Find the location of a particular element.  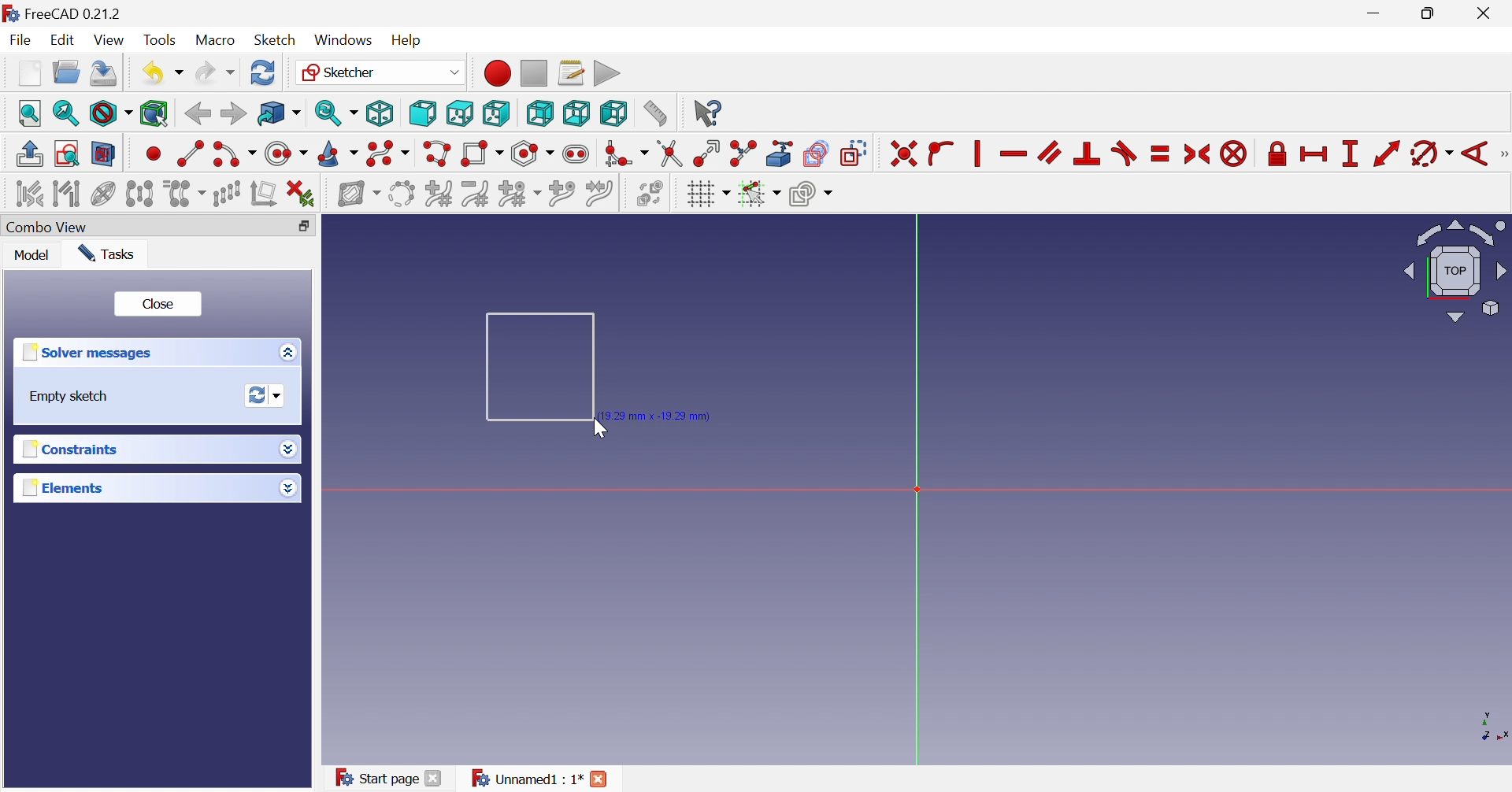

View sketch is located at coordinates (66, 154).